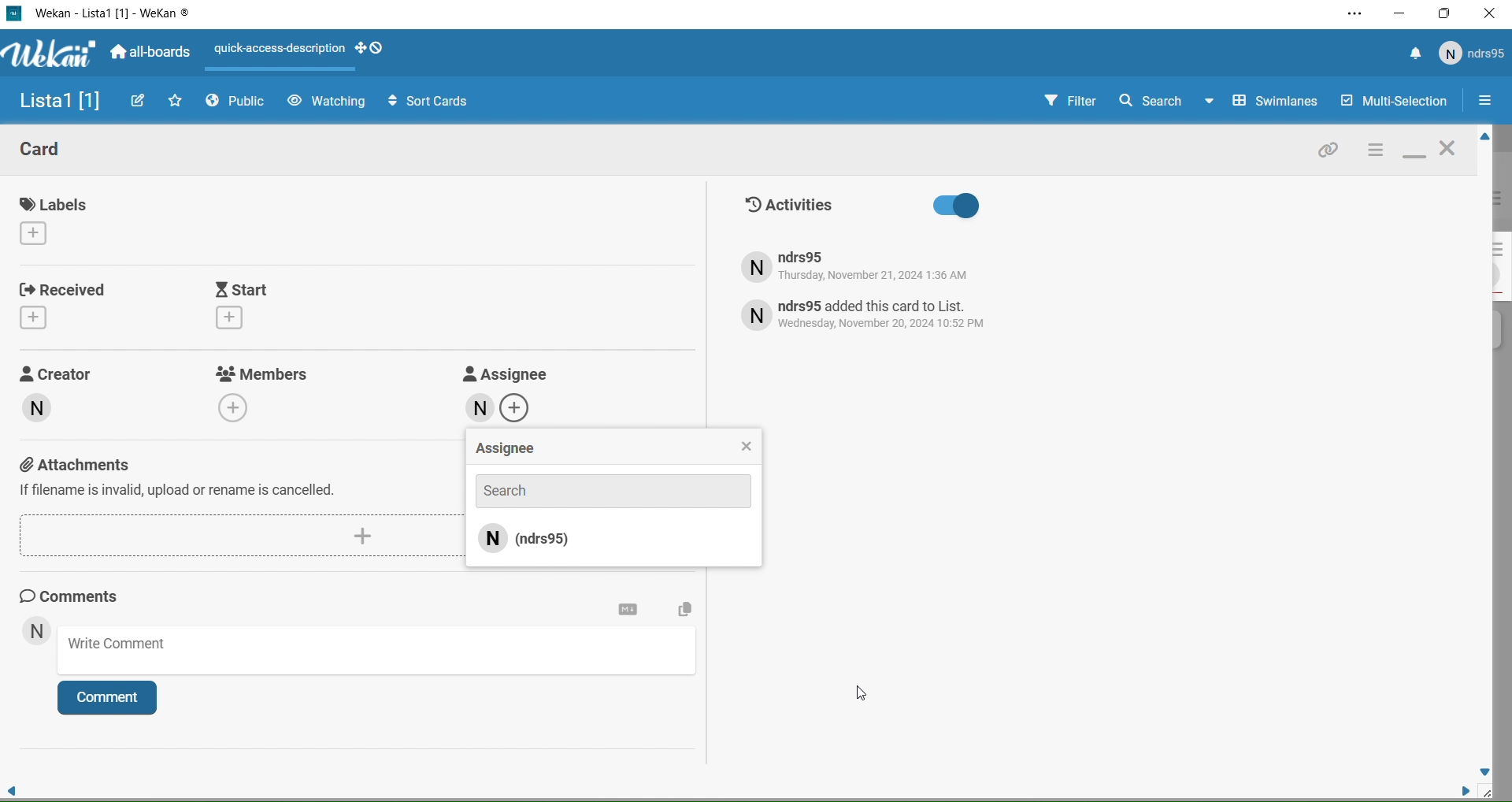  I want to click on move down, so click(1485, 770).